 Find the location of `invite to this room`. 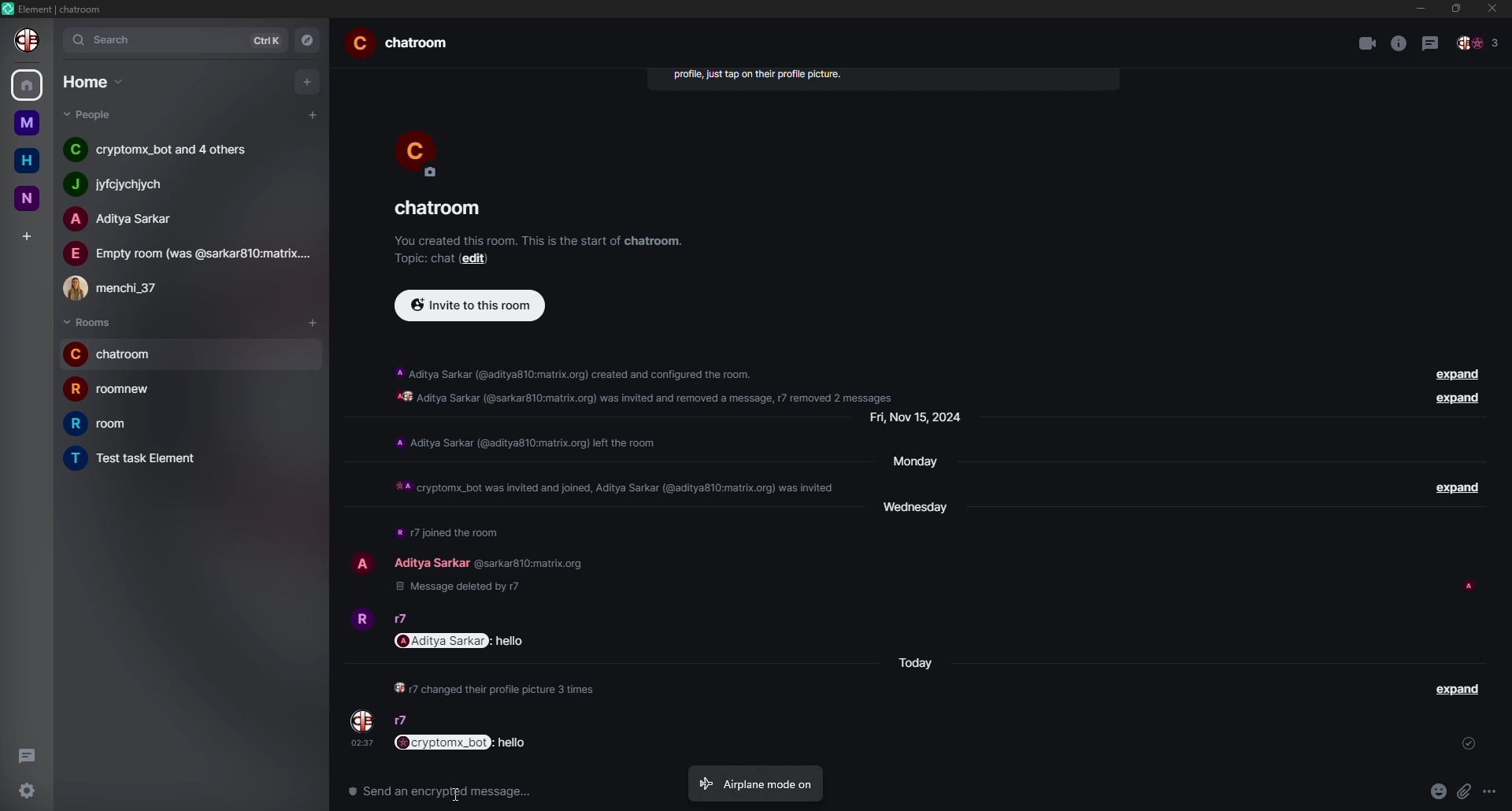

invite to this room is located at coordinates (469, 306).